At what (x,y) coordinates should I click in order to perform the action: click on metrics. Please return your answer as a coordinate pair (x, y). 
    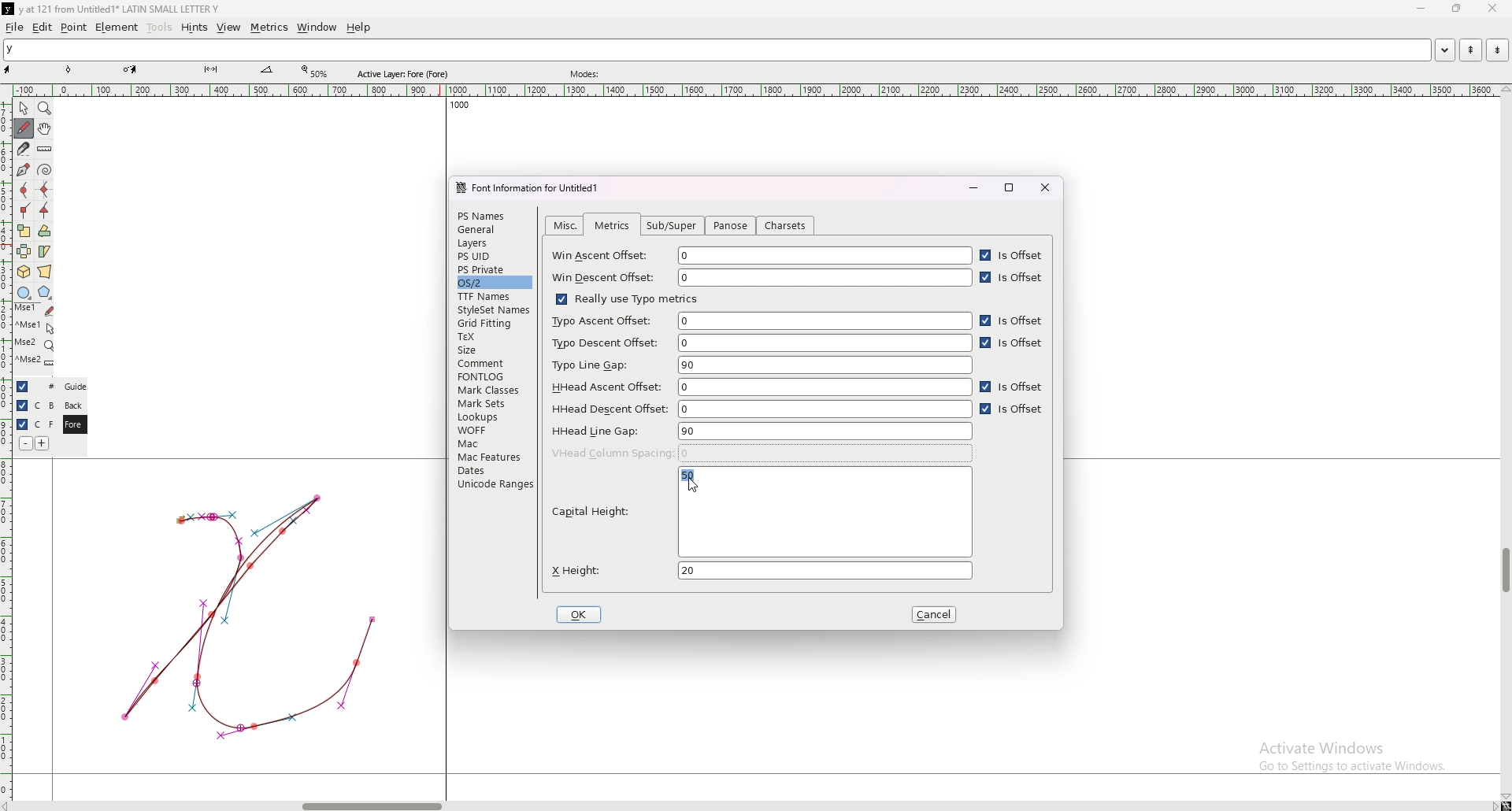
    Looking at the image, I should click on (612, 226).